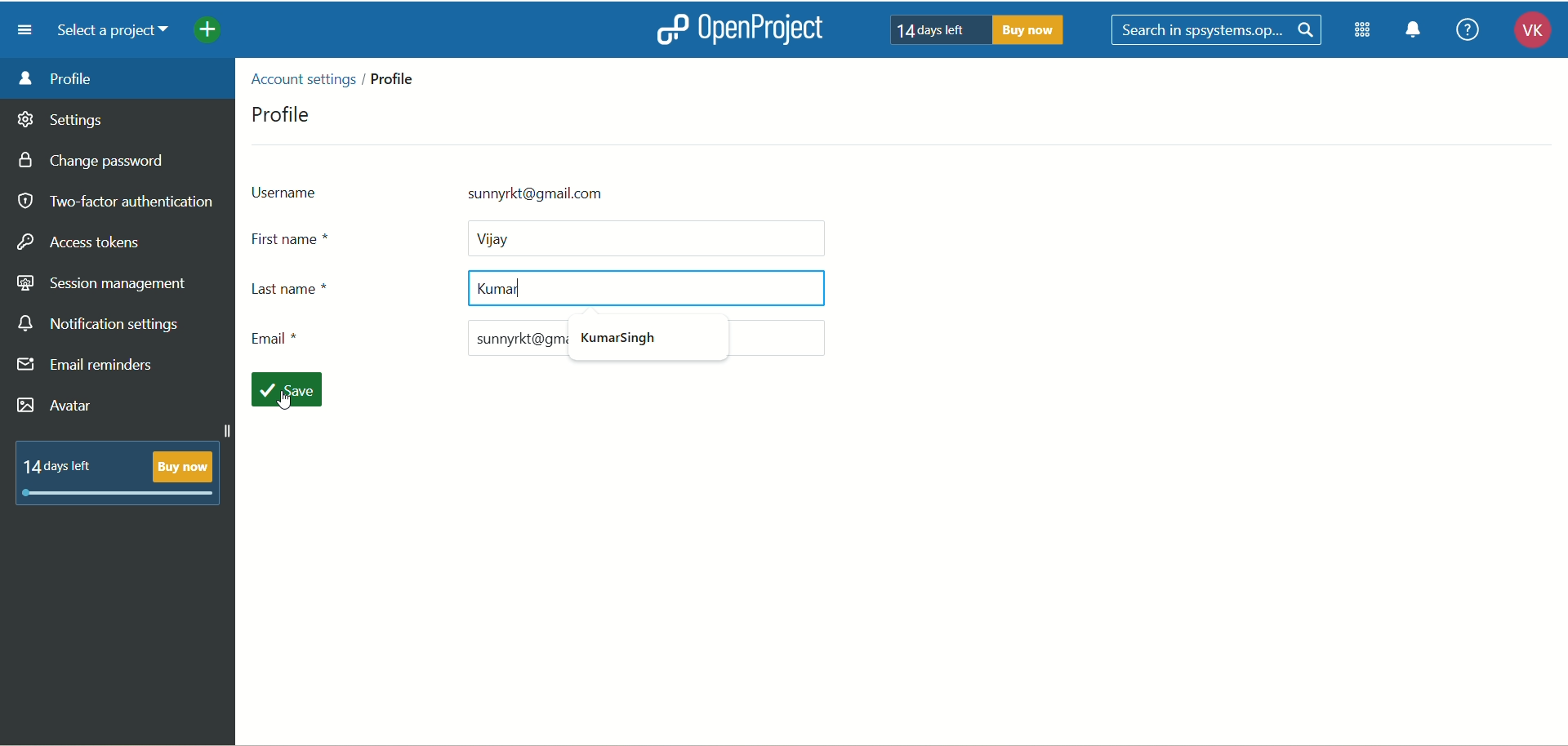 The height and width of the screenshot is (746, 1568). What do you see at coordinates (1526, 33) in the screenshot?
I see `account` at bounding box center [1526, 33].